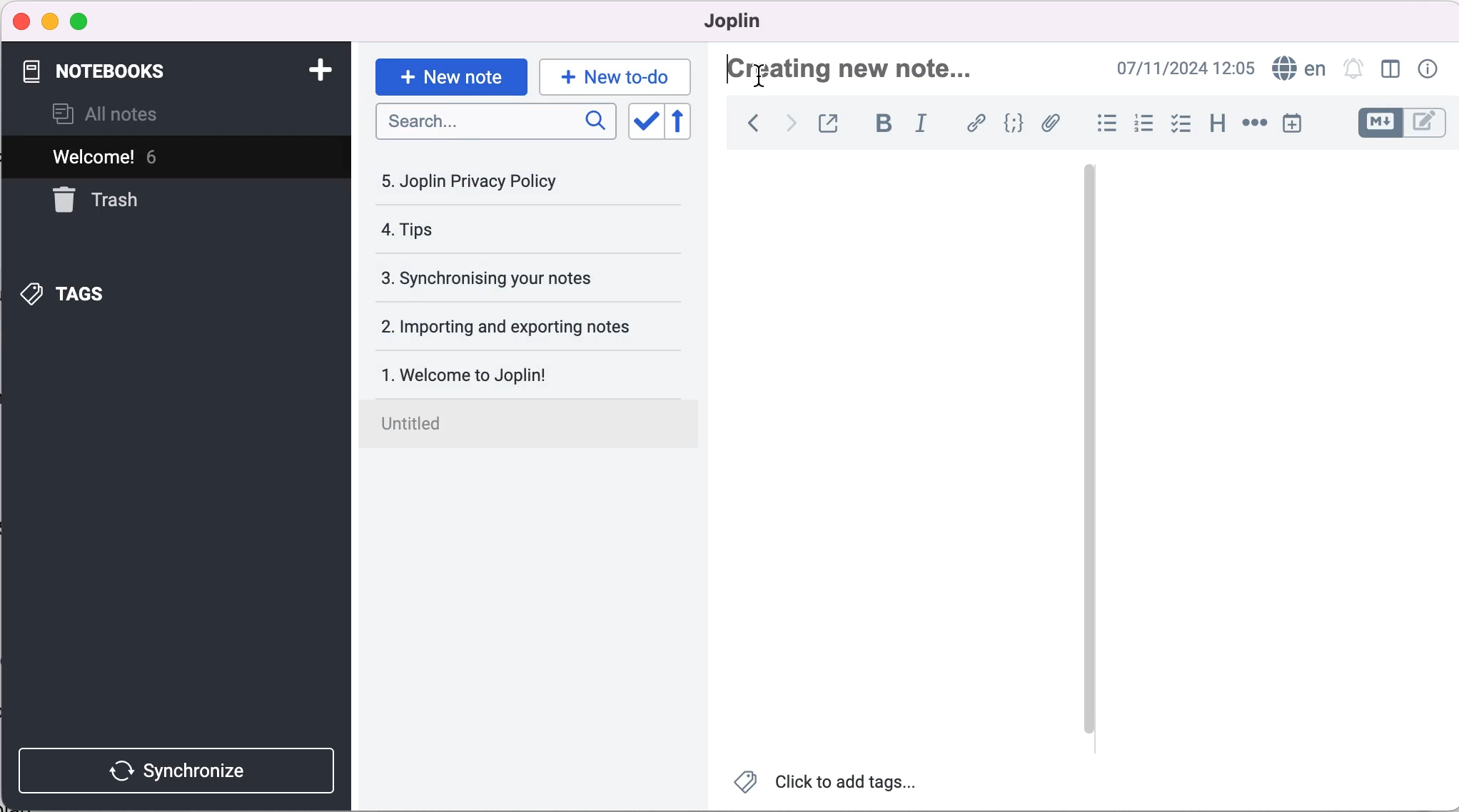 Image resolution: width=1459 pixels, height=812 pixels. What do you see at coordinates (493, 123) in the screenshot?
I see `search` at bounding box center [493, 123].